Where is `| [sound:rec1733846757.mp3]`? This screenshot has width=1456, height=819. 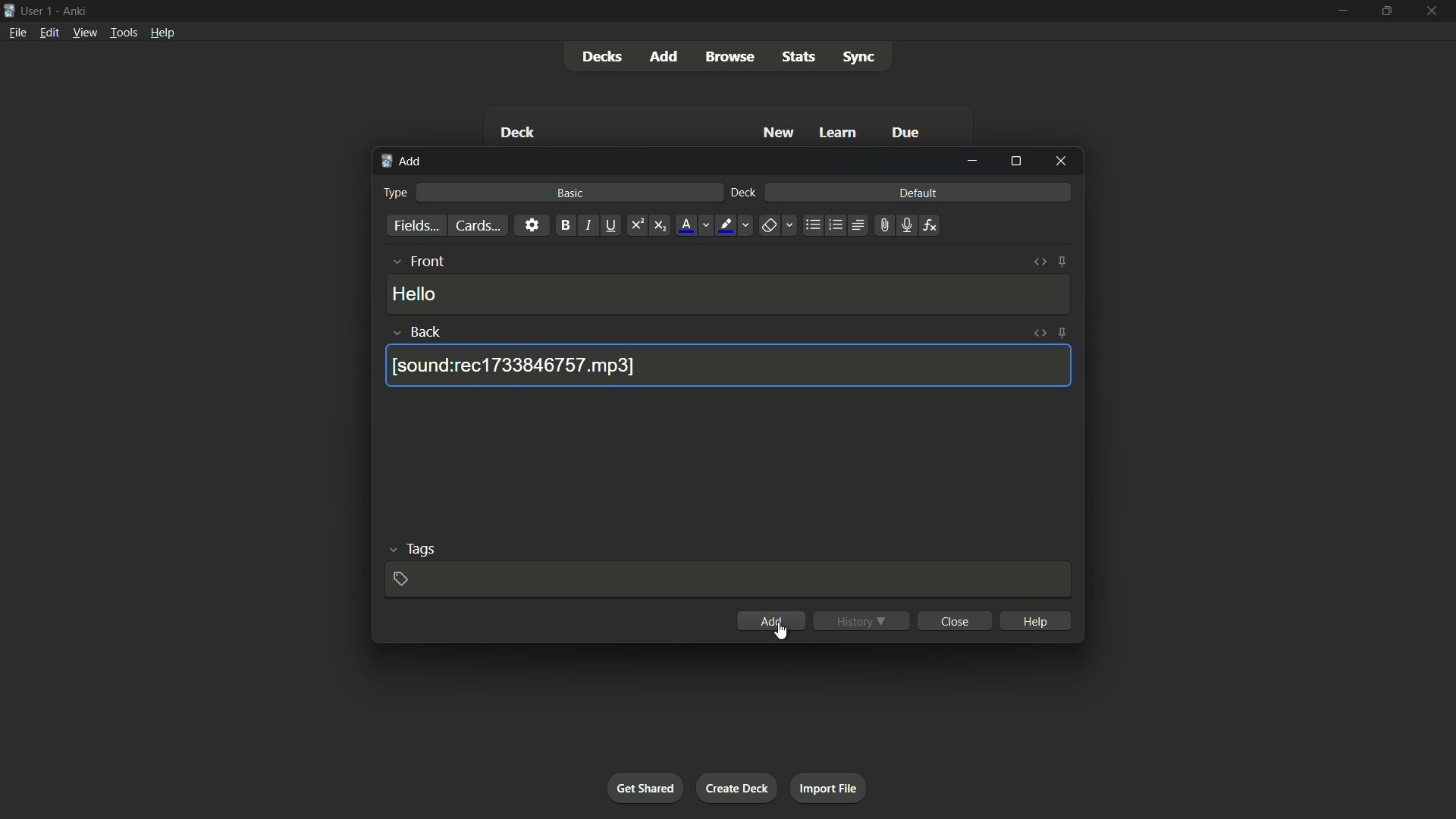 | [sound:rec1733846757.mp3] is located at coordinates (516, 367).